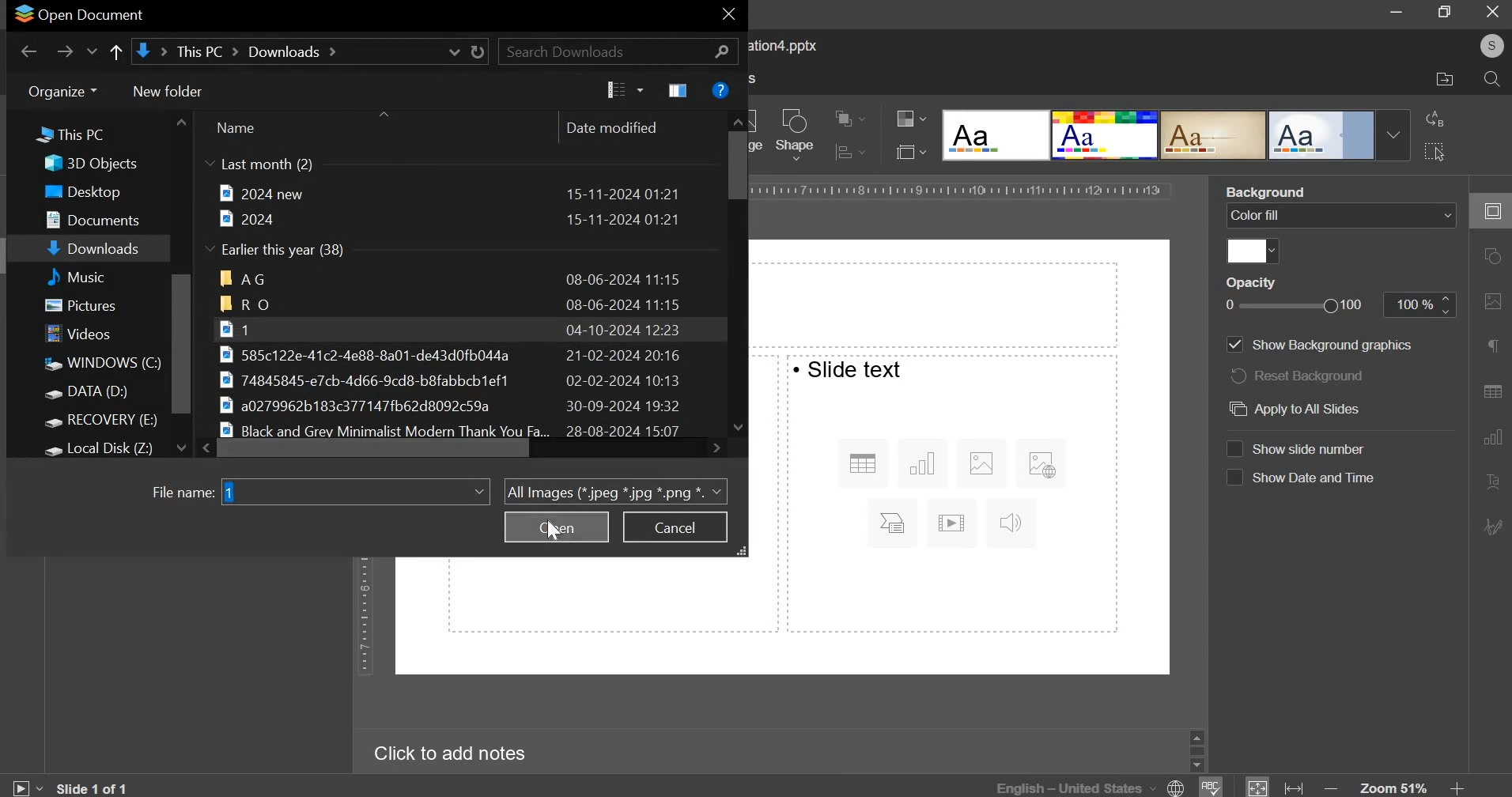 This screenshot has width=1512, height=797. I want to click on file name, so click(354, 490).